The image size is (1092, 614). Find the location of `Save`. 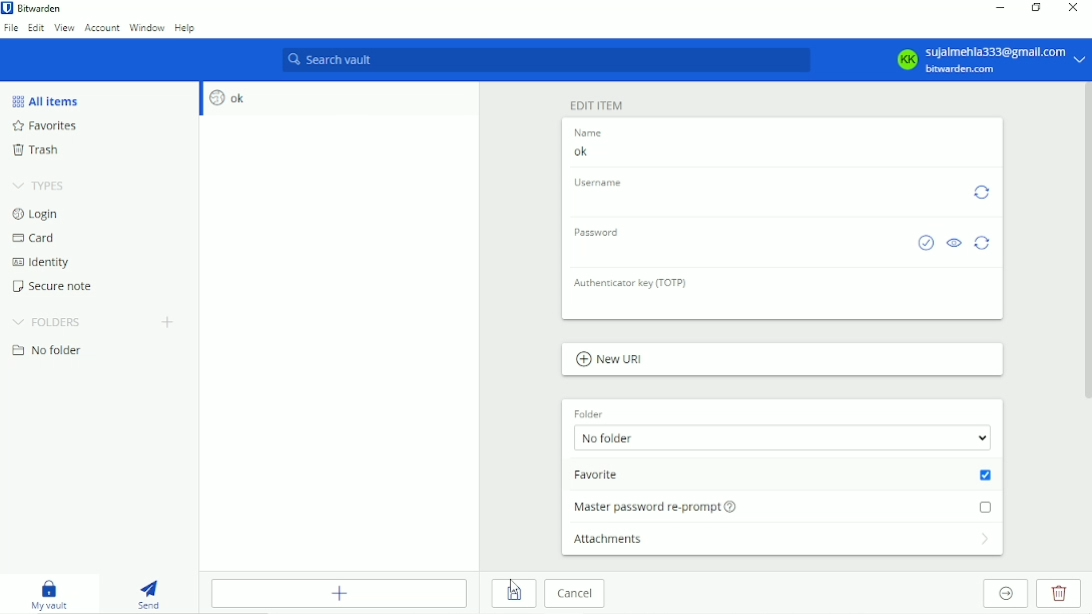

Save is located at coordinates (514, 594).